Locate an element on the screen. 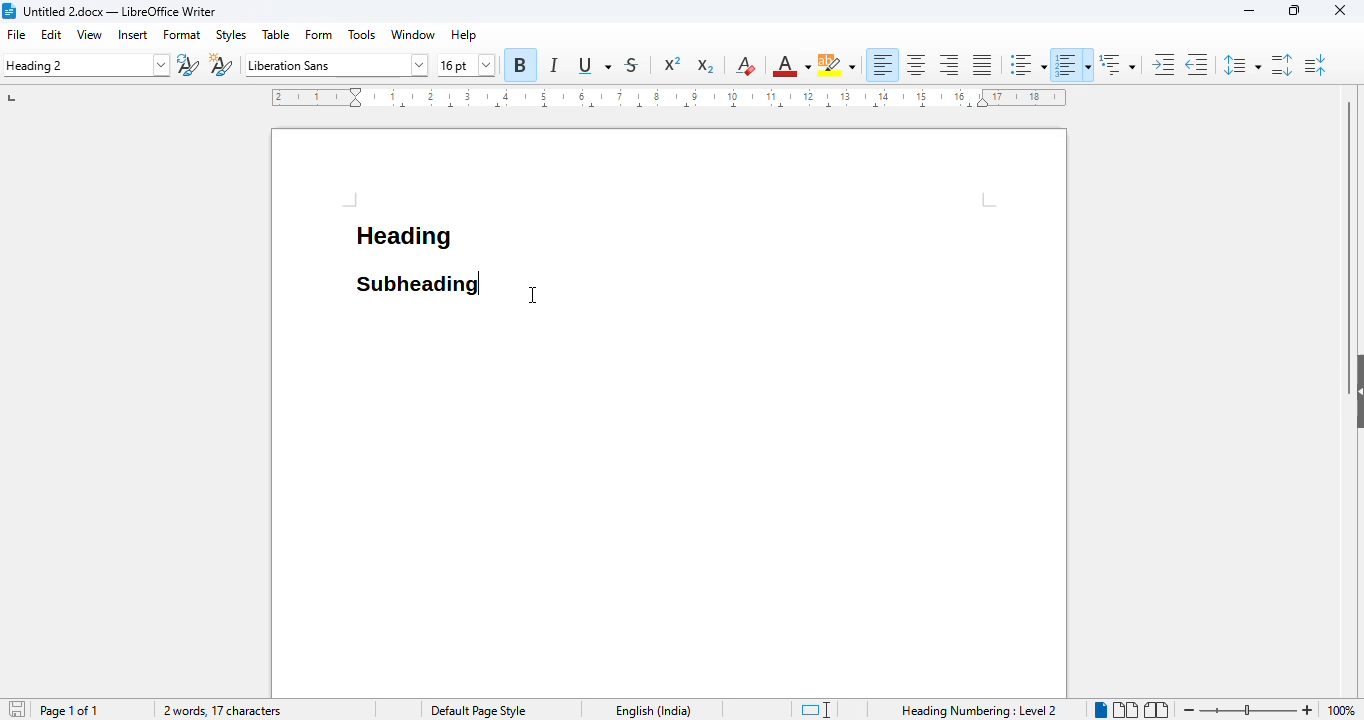 The image size is (1364, 720). set paragraph style is located at coordinates (86, 66).